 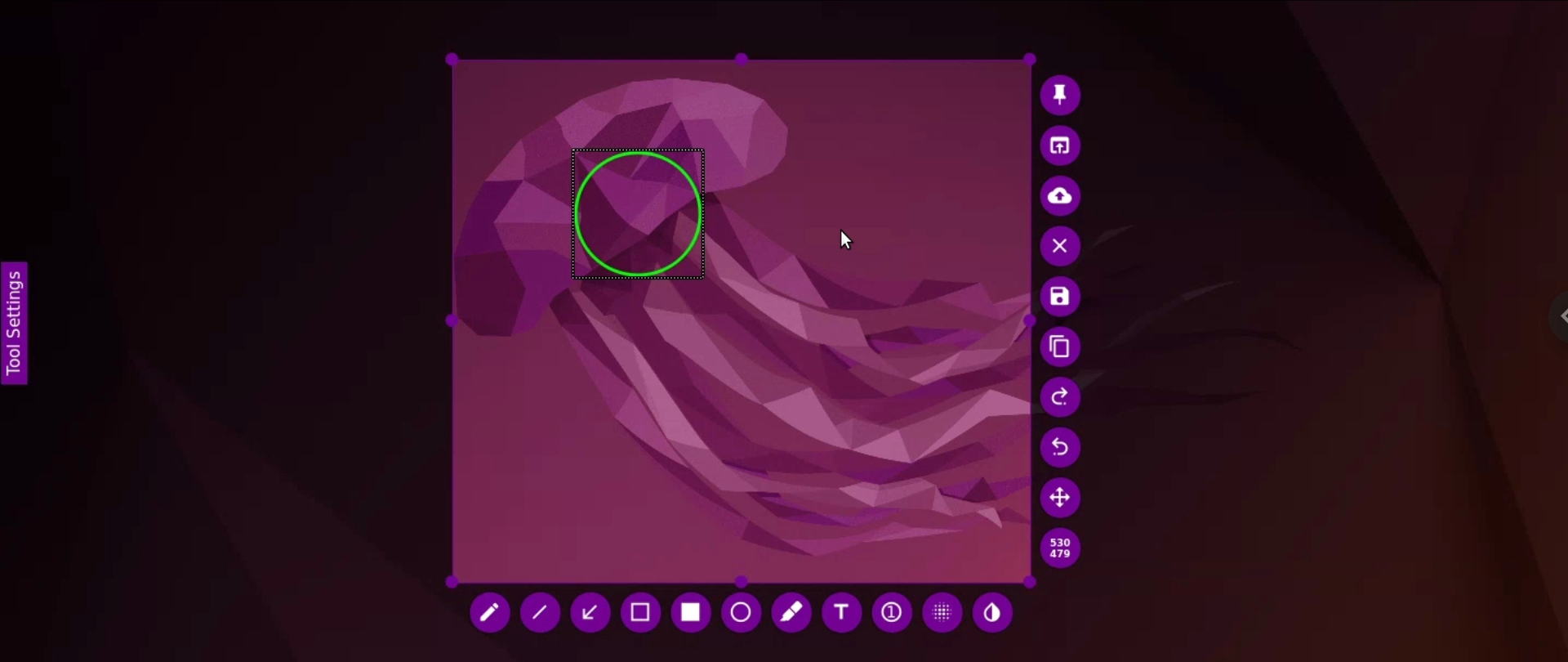 What do you see at coordinates (15, 320) in the screenshot?
I see `toolbar settings` at bounding box center [15, 320].